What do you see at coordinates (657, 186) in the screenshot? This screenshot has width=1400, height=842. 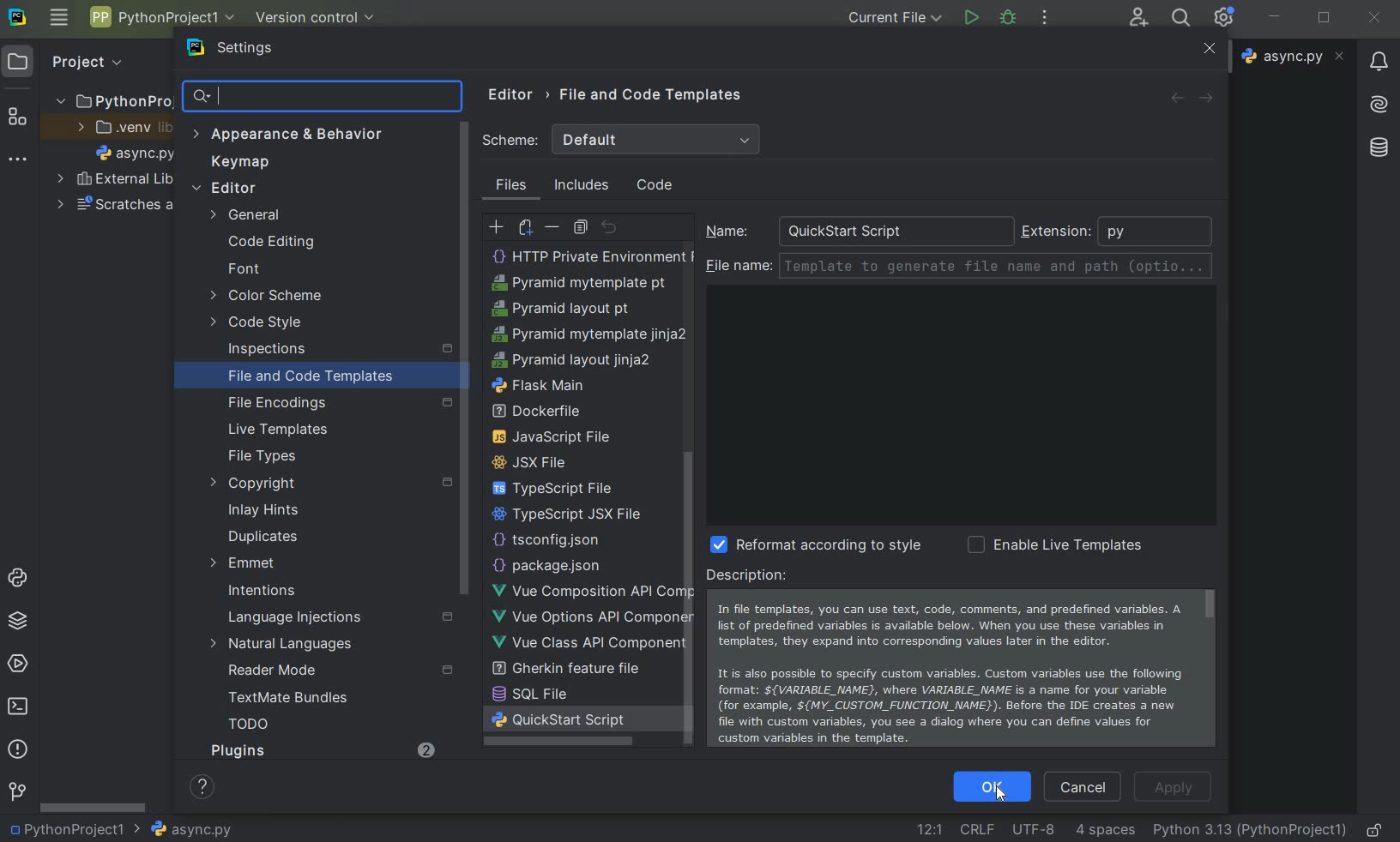 I see `code` at bounding box center [657, 186].